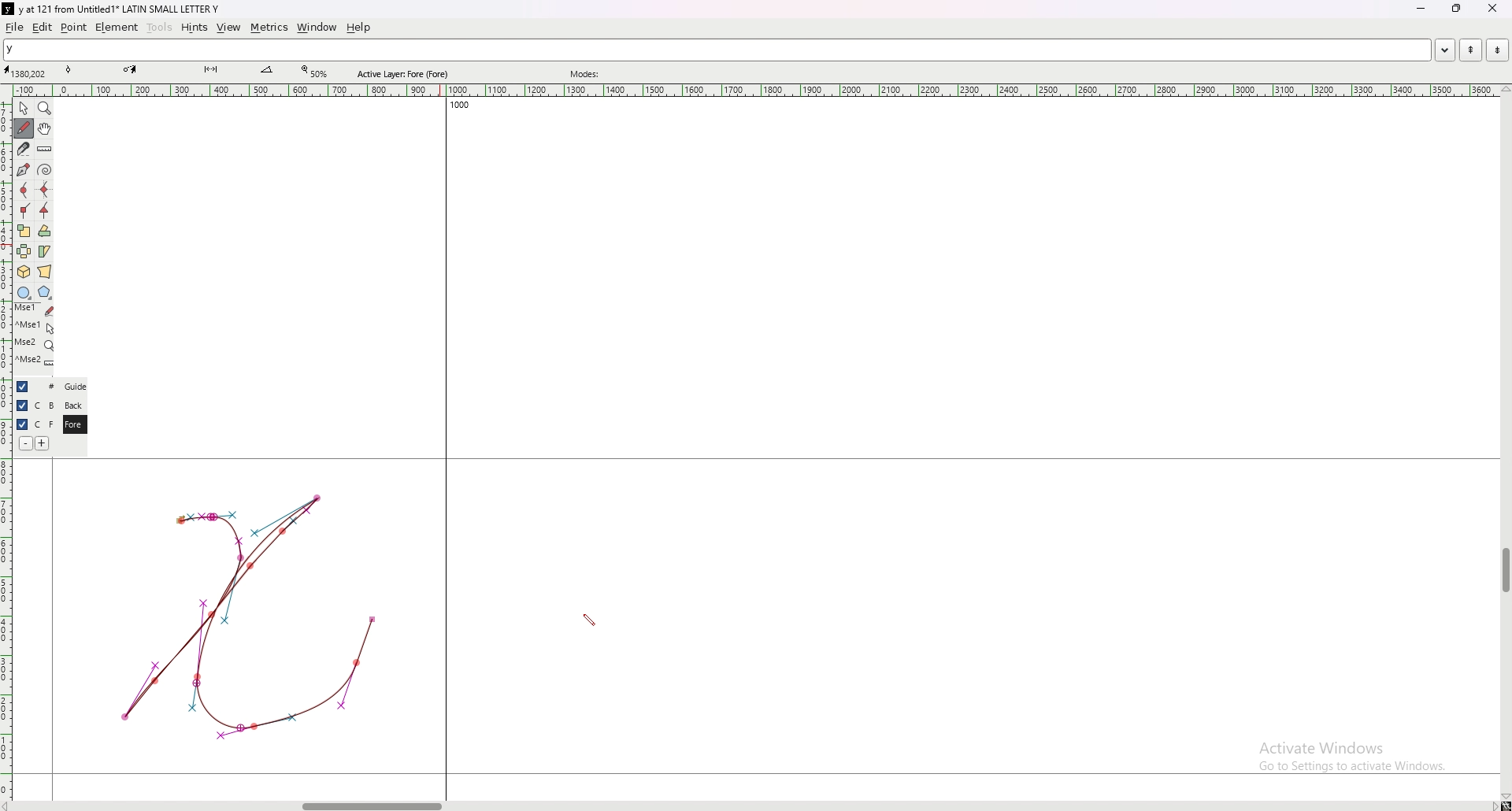 This screenshot has height=811, width=1512. Describe the element at coordinates (456, 107) in the screenshot. I see `1000` at that location.